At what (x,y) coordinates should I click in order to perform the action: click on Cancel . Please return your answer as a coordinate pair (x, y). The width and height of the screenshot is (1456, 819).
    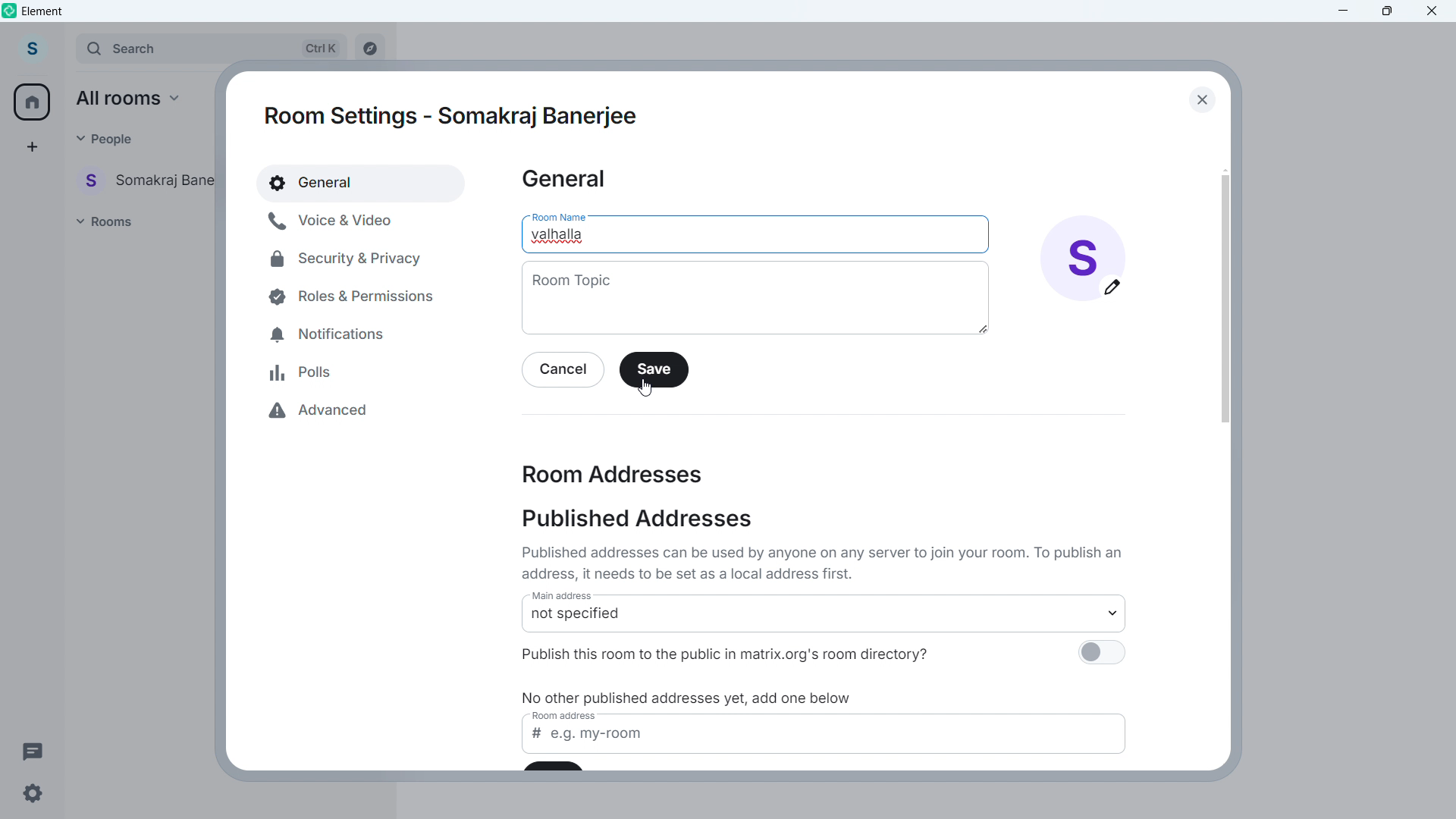
    Looking at the image, I should click on (563, 371).